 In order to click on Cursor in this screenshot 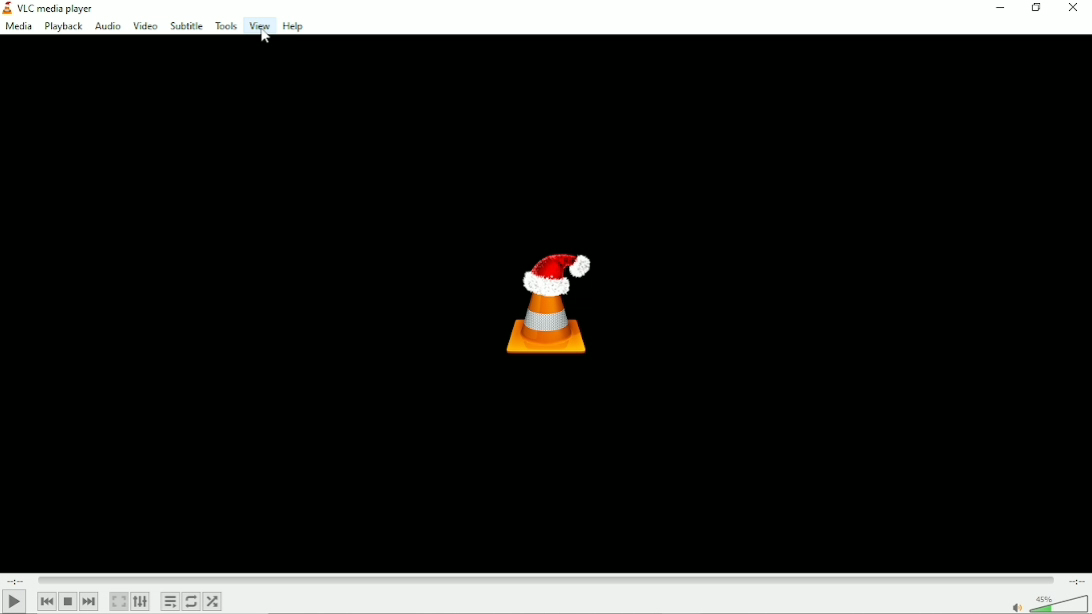, I will do `click(268, 40)`.